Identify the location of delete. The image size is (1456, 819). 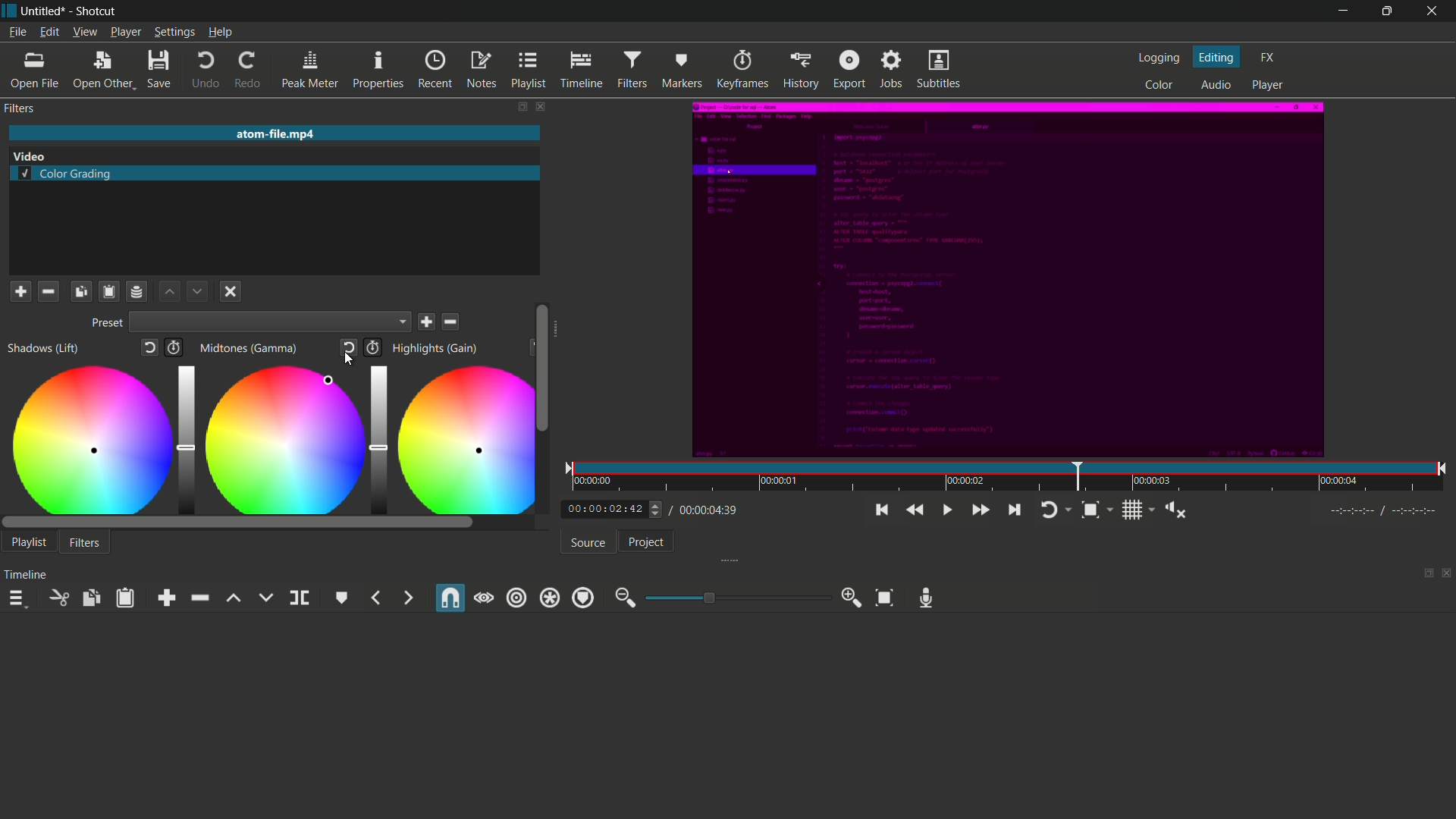
(452, 322).